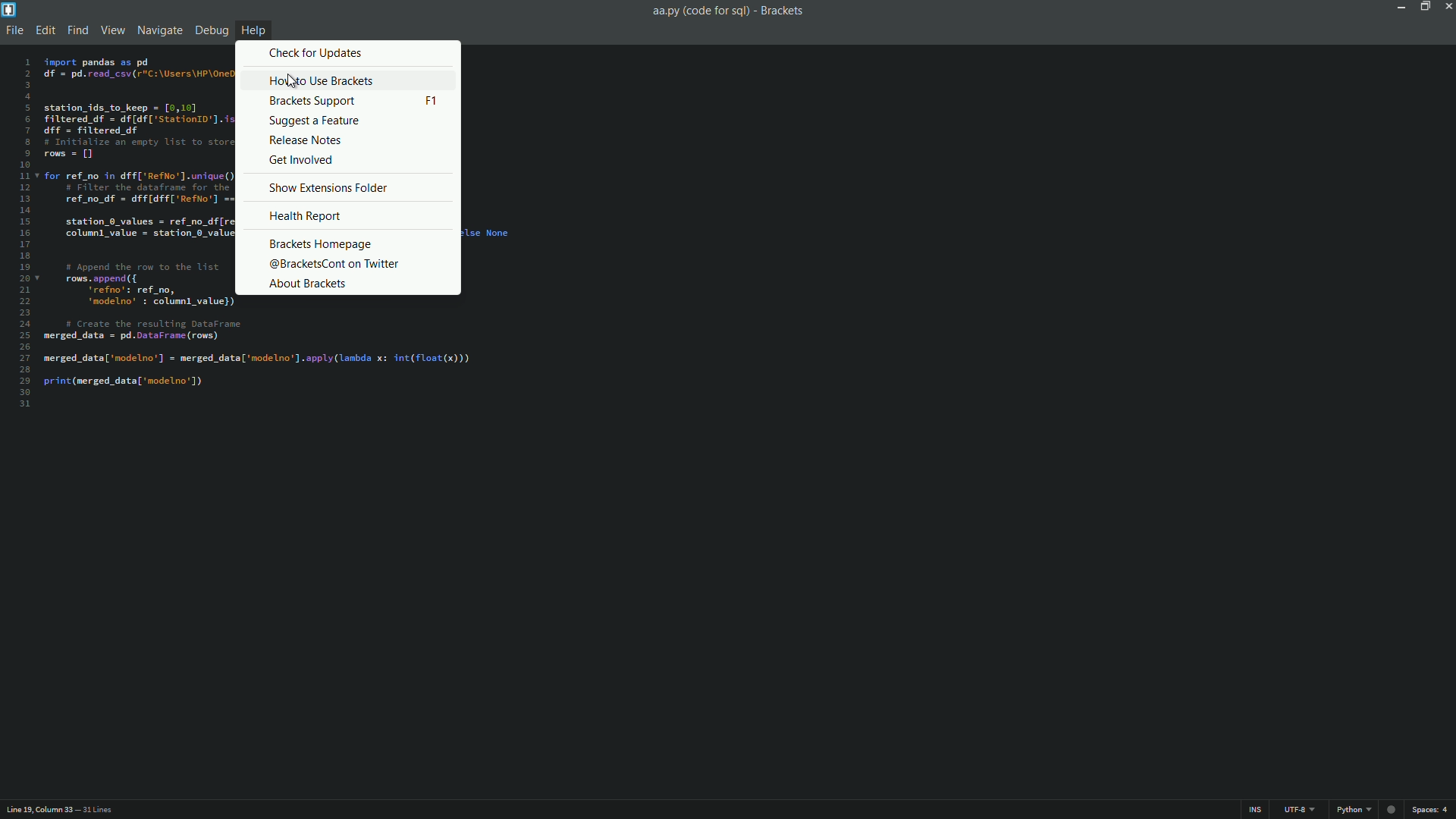  Describe the element at coordinates (306, 216) in the screenshot. I see `health report` at that location.